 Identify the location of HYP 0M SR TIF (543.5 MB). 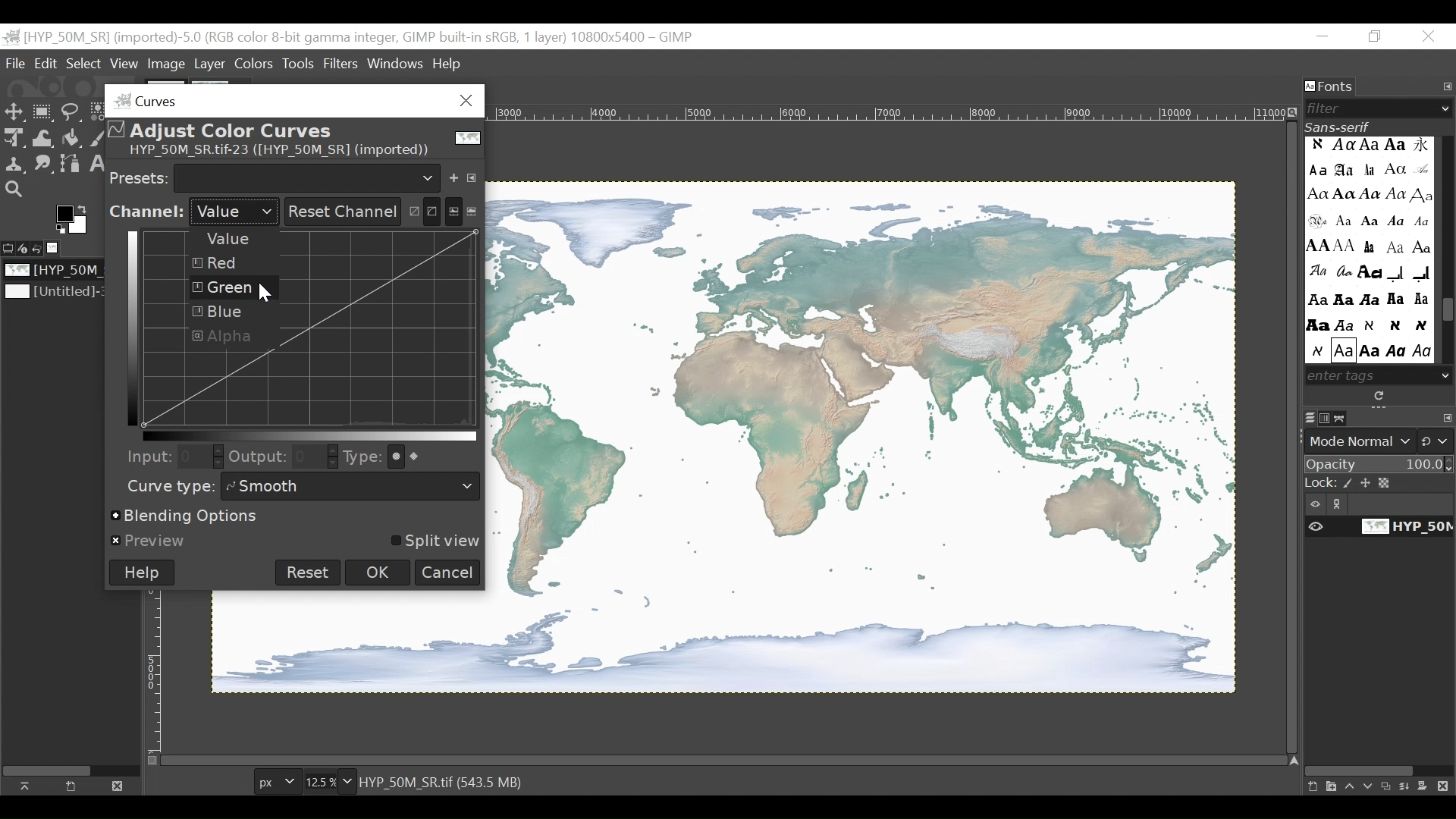
(444, 781).